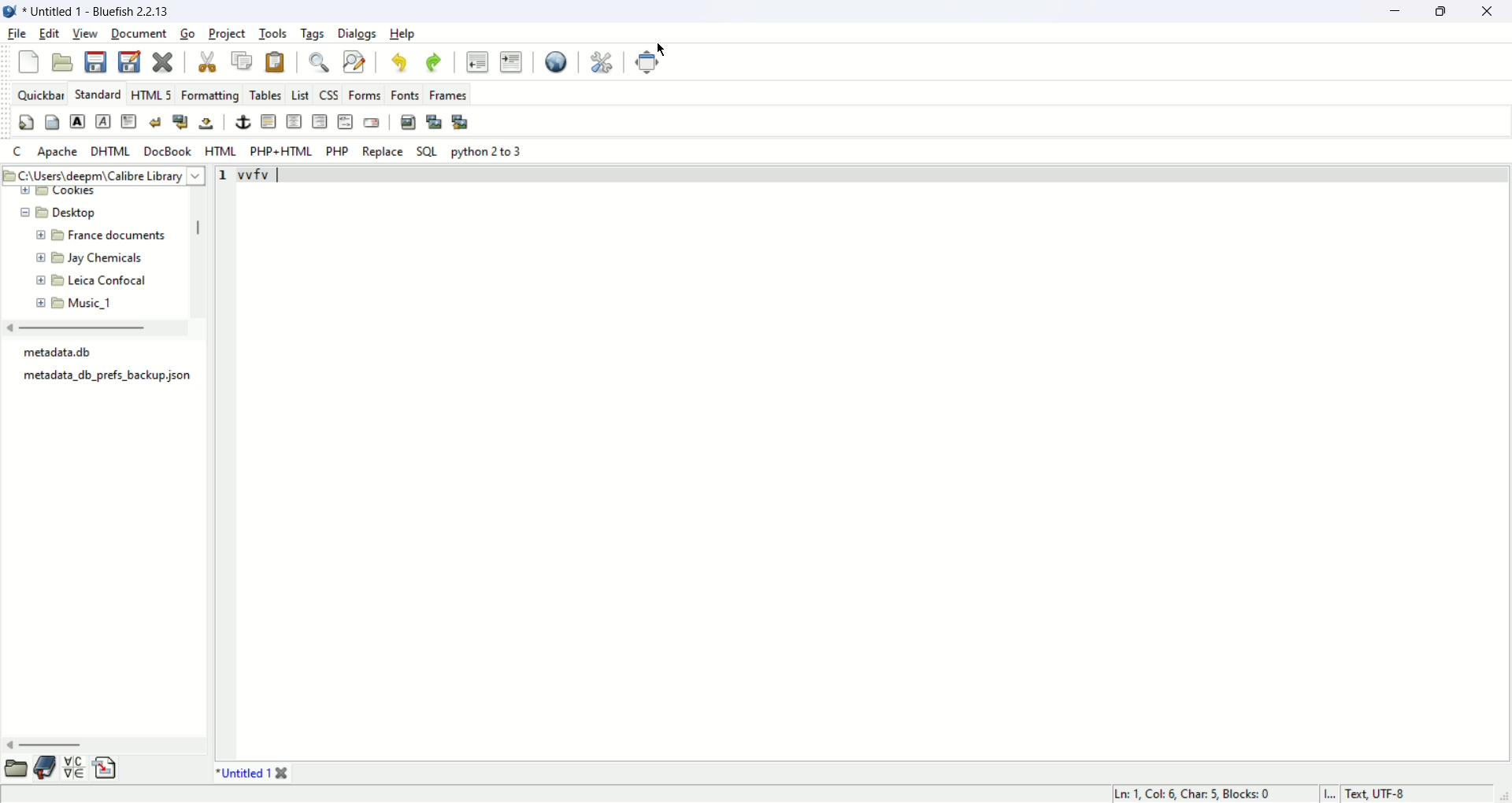  Describe the element at coordinates (381, 151) in the screenshot. I see `replace` at that location.